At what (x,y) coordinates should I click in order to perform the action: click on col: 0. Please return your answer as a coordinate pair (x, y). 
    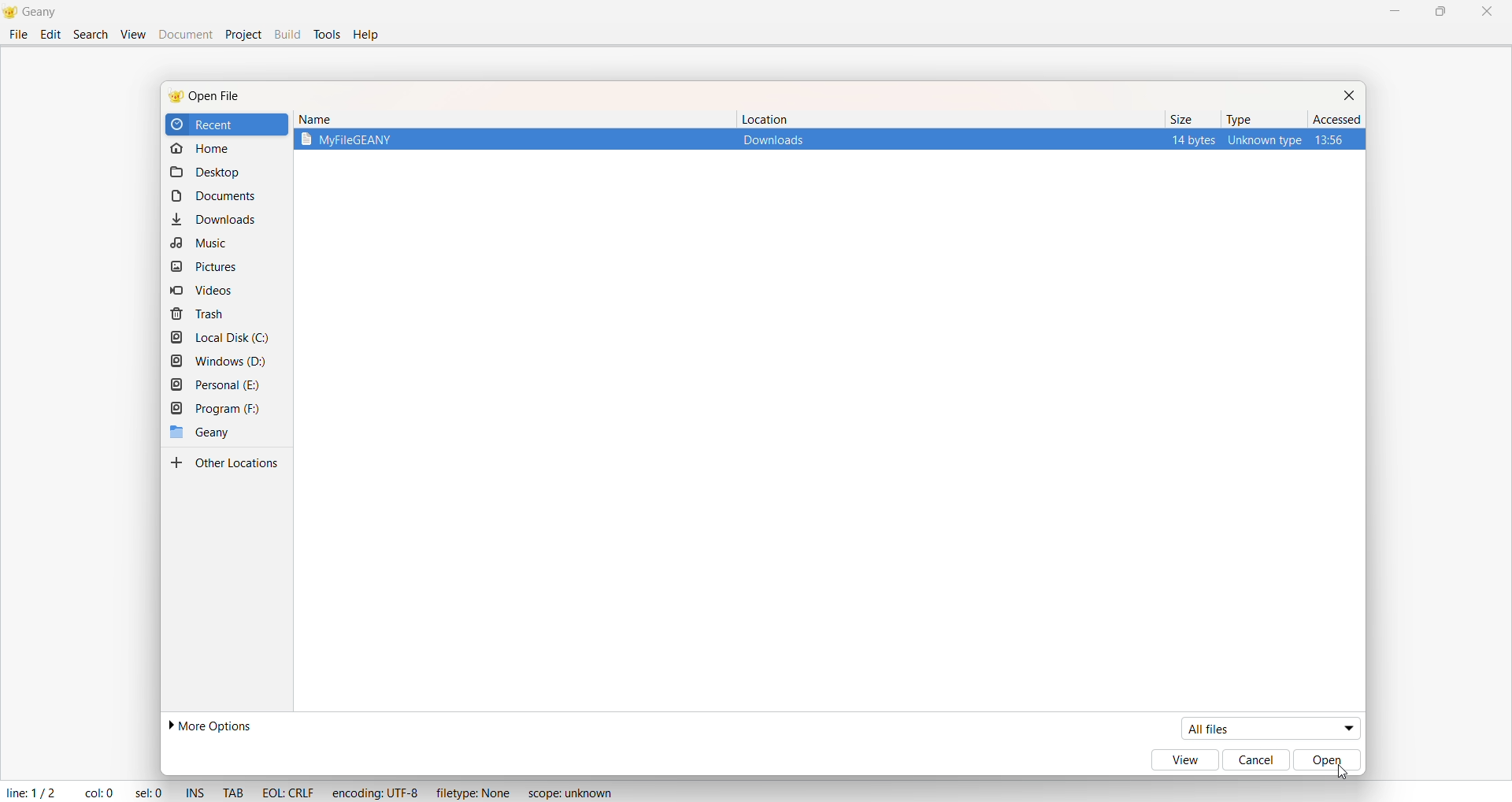
    Looking at the image, I should click on (94, 793).